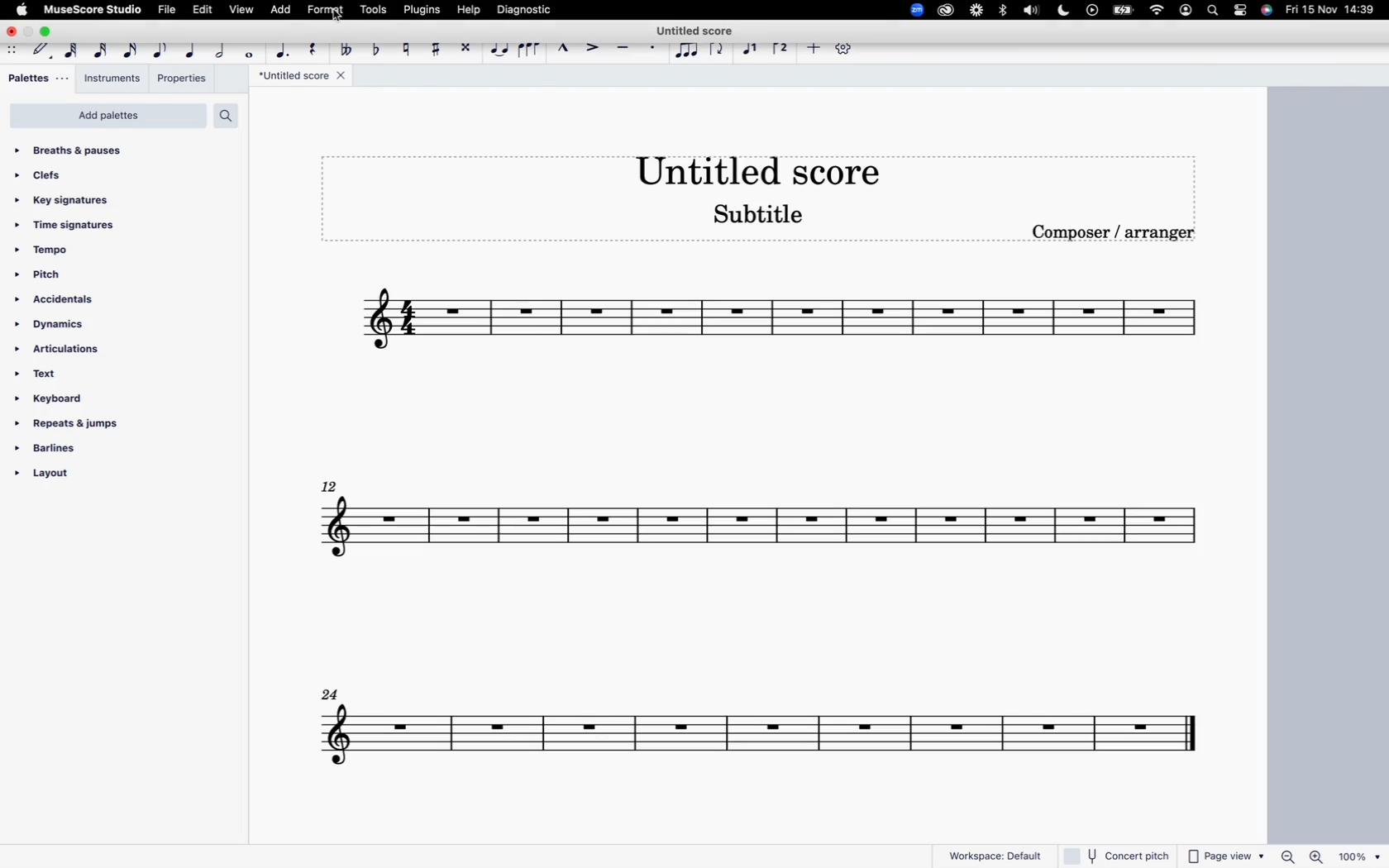  What do you see at coordinates (1121, 854) in the screenshot?
I see `concert pitch` at bounding box center [1121, 854].